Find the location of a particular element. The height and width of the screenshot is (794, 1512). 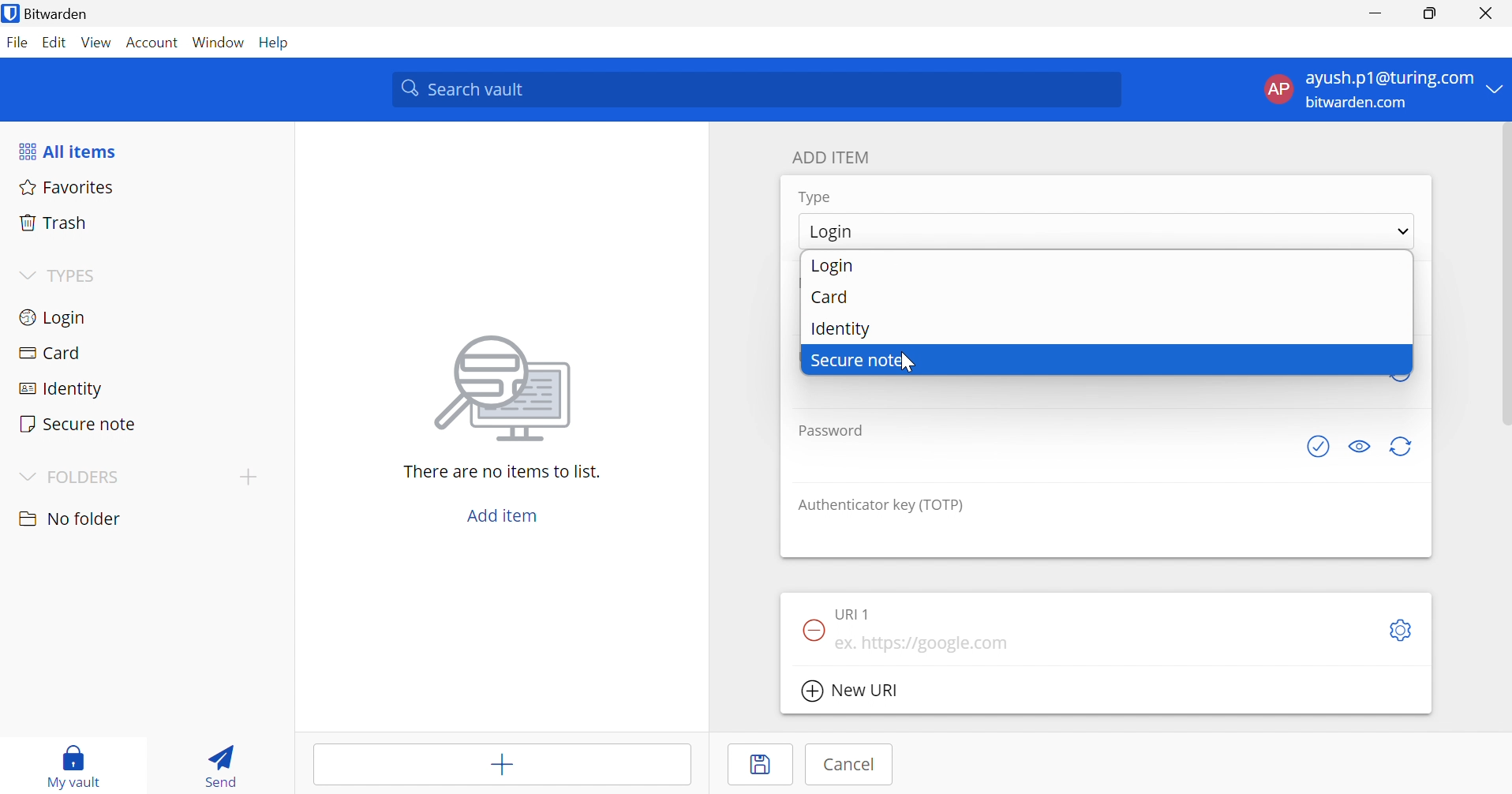

TYPES is located at coordinates (76, 277).